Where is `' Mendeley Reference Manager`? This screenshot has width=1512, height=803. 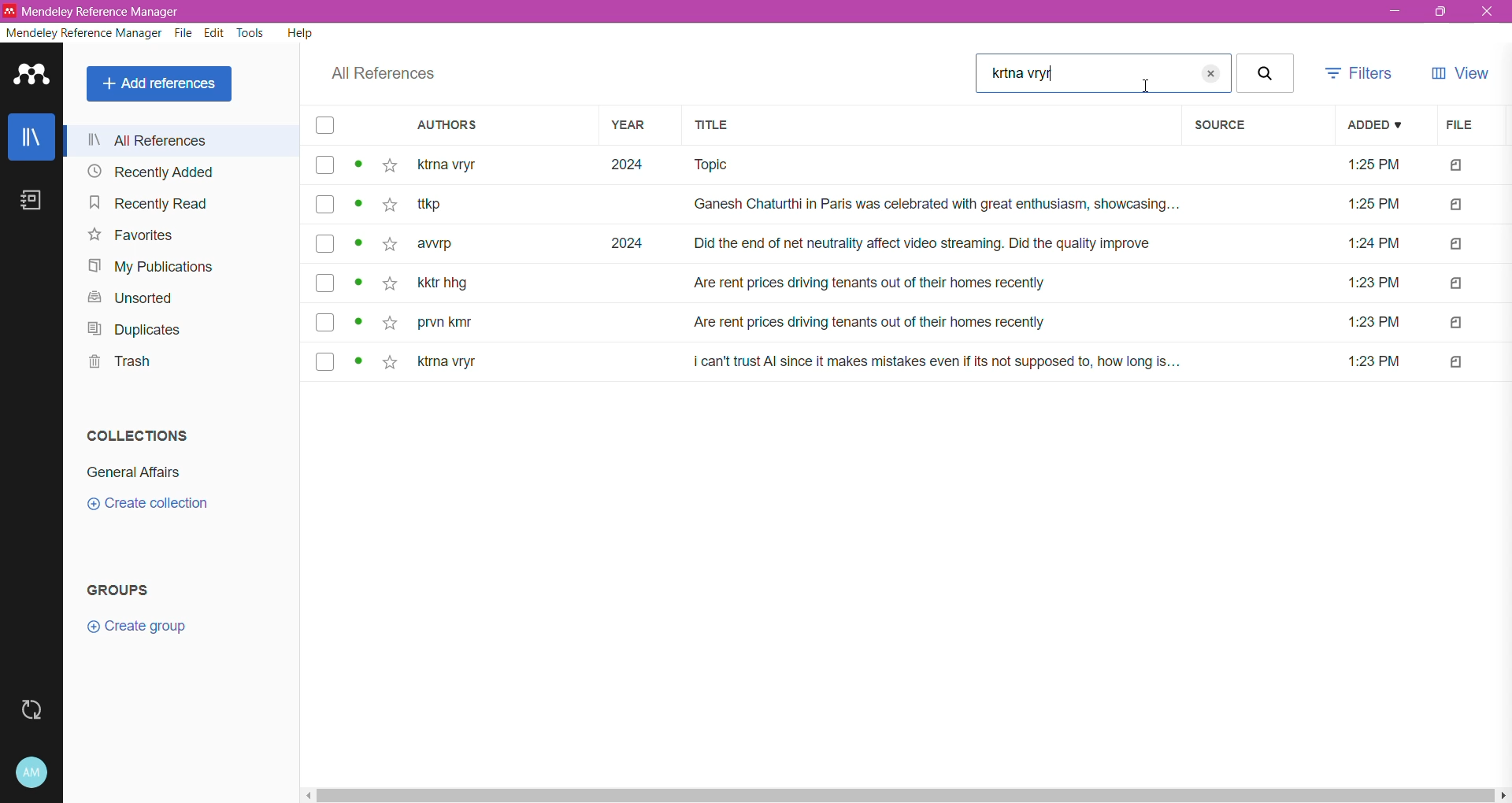 ' Mendeley Reference Manager is located at coordinates (94, 9).